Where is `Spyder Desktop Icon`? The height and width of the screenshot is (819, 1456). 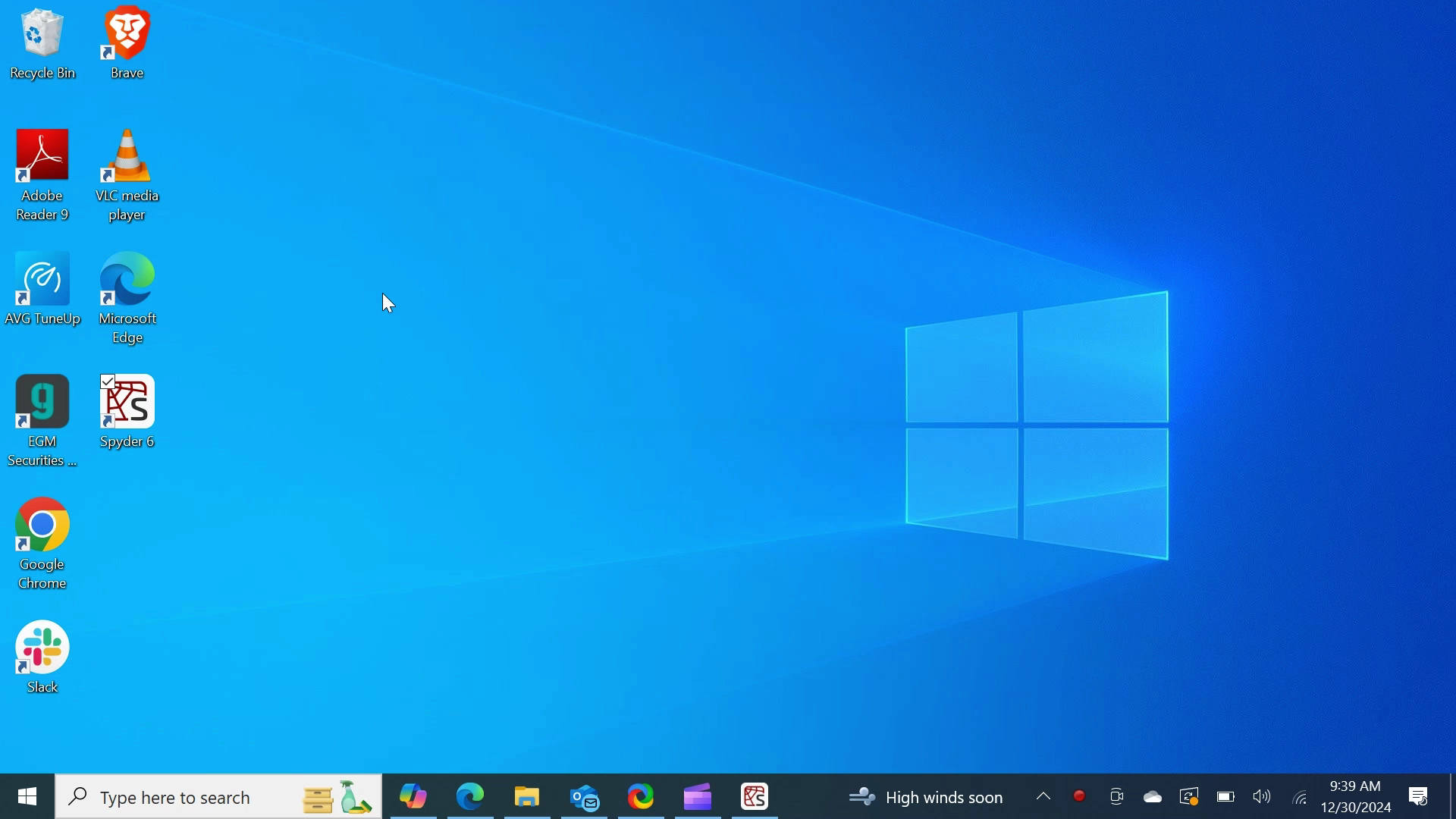
Spyder Desktop Icon is located at coordinates (755, 796).